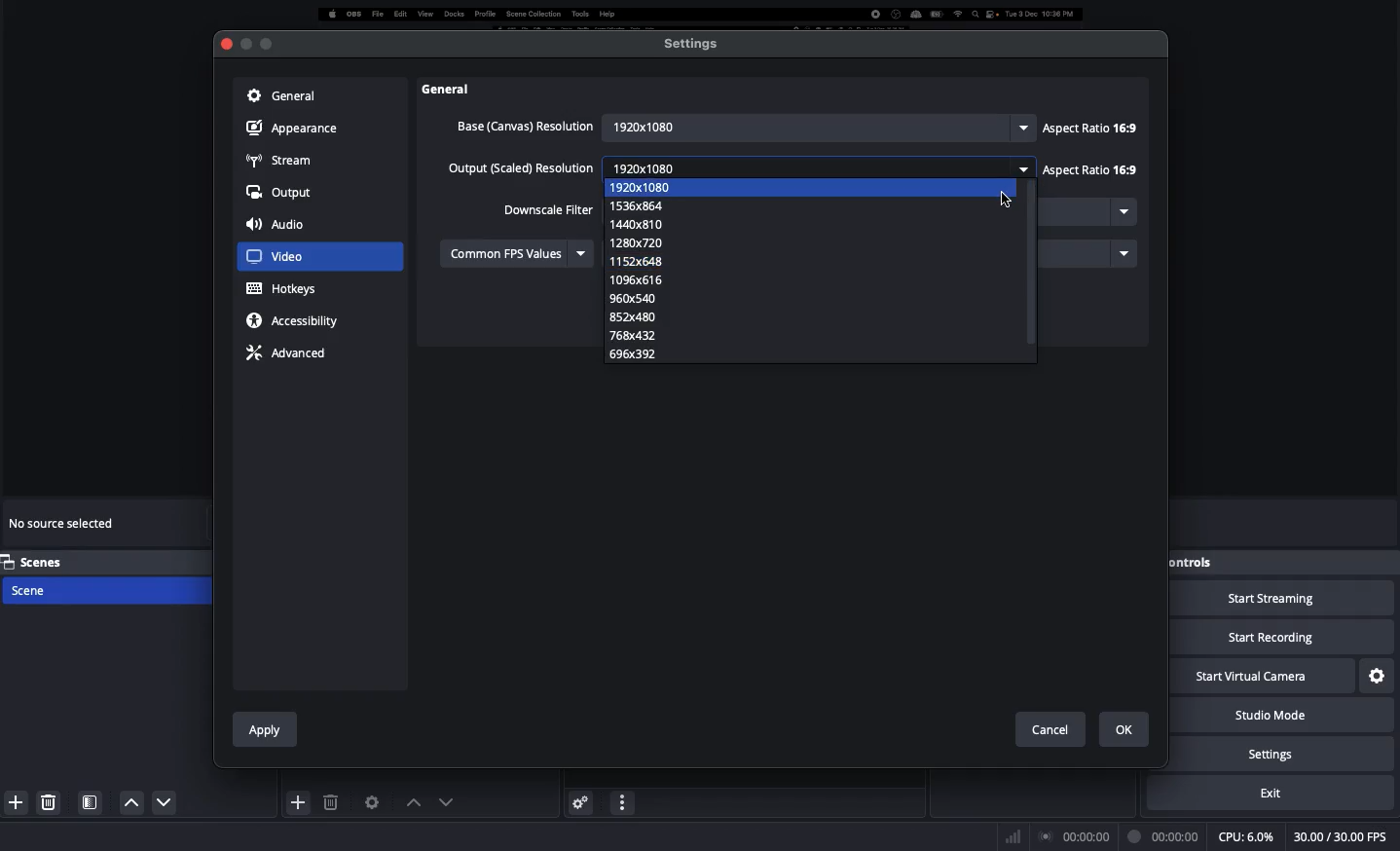 The height and width of the screenshot is (851, 1400). I want to click on Studio mode, so click(1291, 716).